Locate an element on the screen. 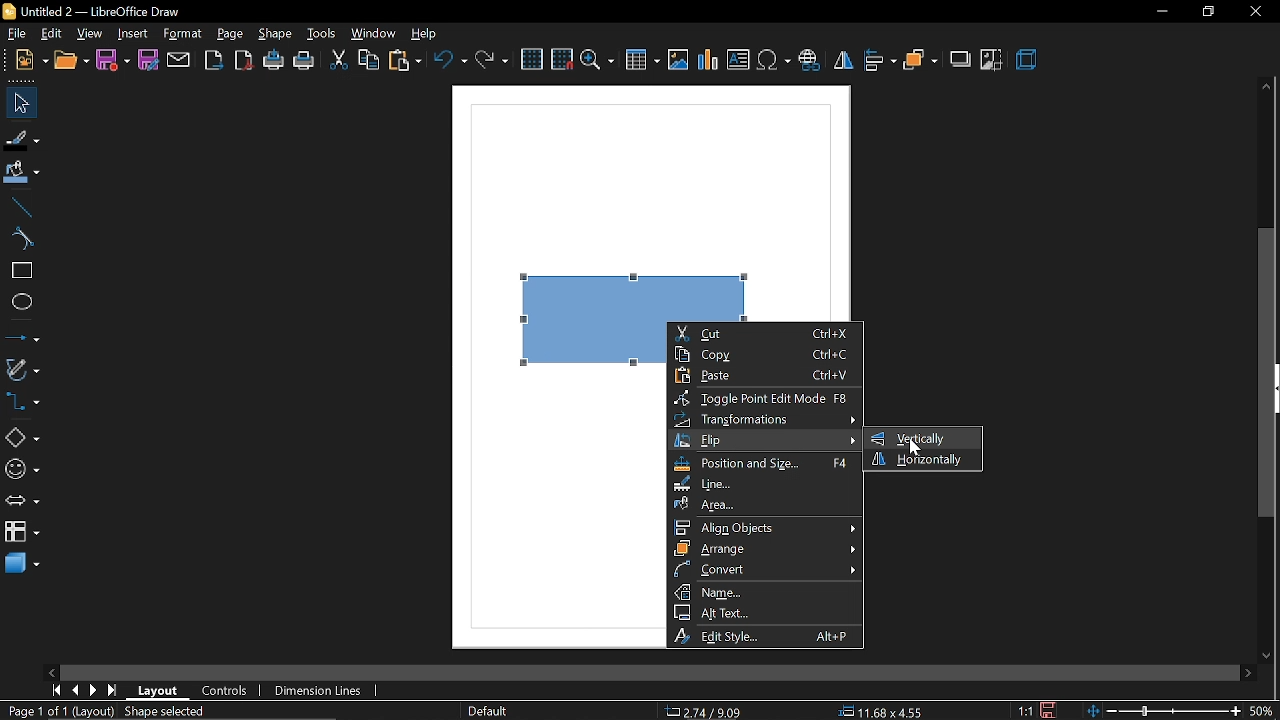 This screenshot has width=1280, height=720. arrows is located at coordinates (22, 501).